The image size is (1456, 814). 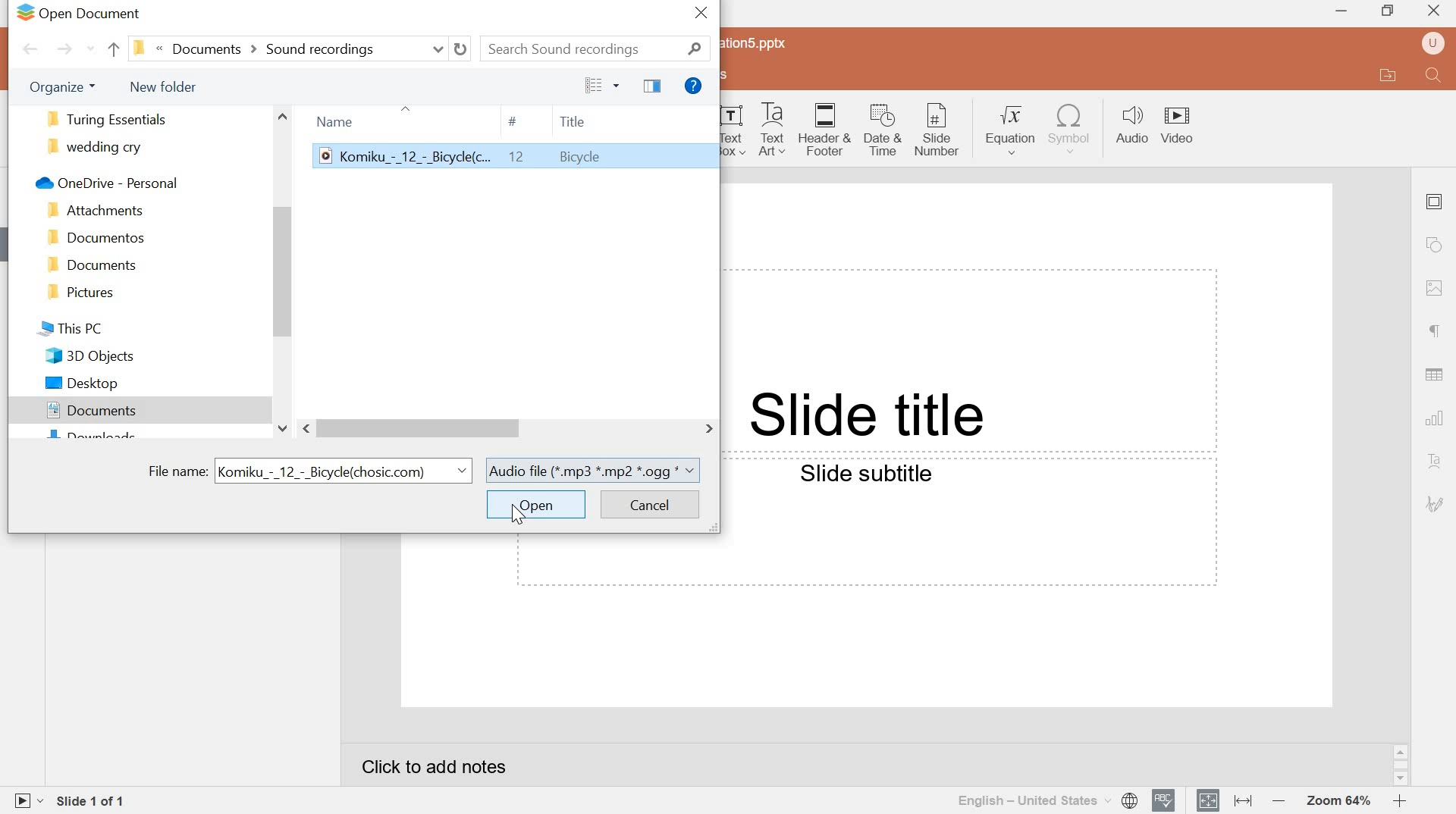 I want to click on up, so click(x=407, y=111).